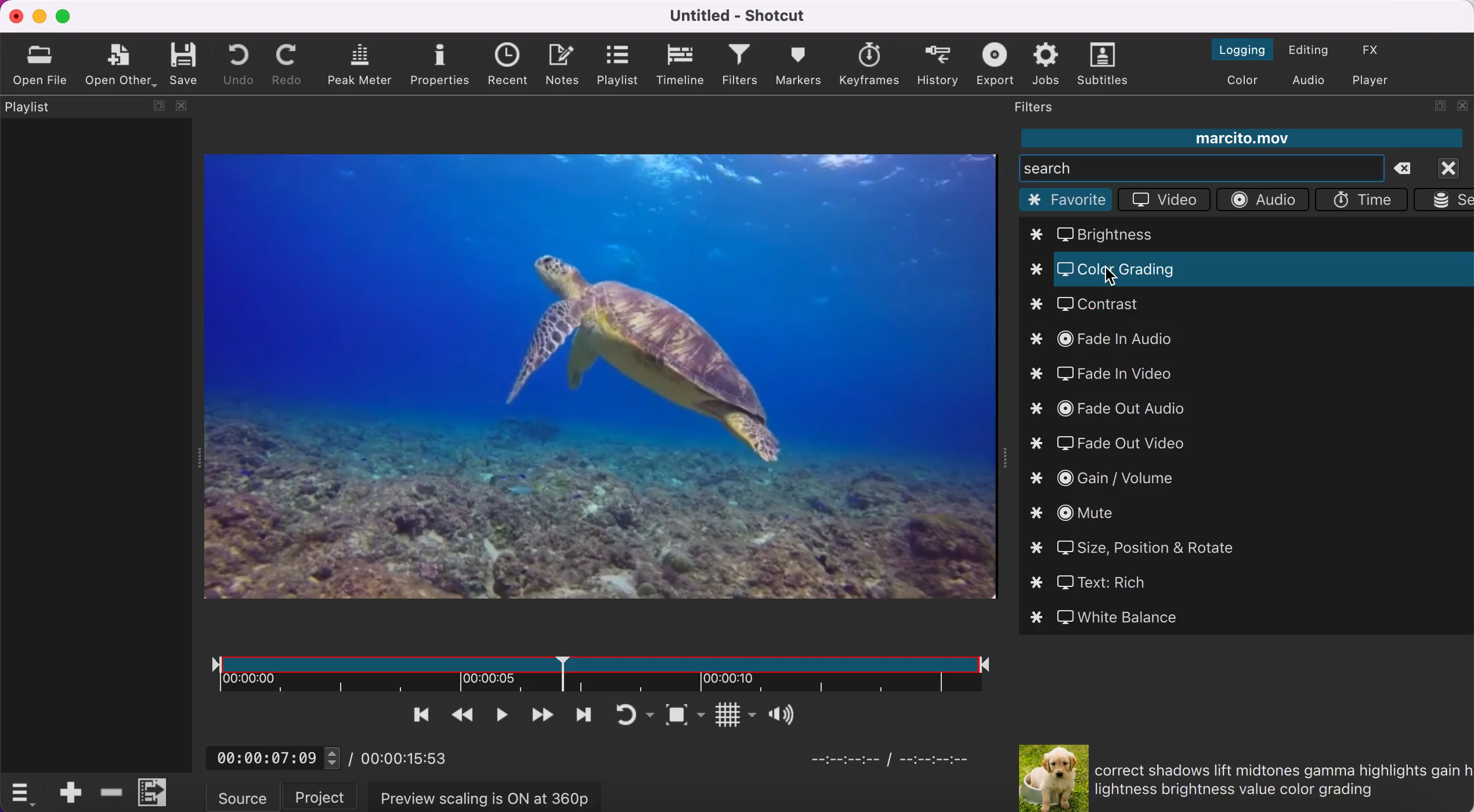 Image resolution: width=1474 pixels, height=812 pixels. What do you see at coordinates (1231, 49) in the screenshot?
I see `switch to the logging layout` at bounding box center [1231, 49].